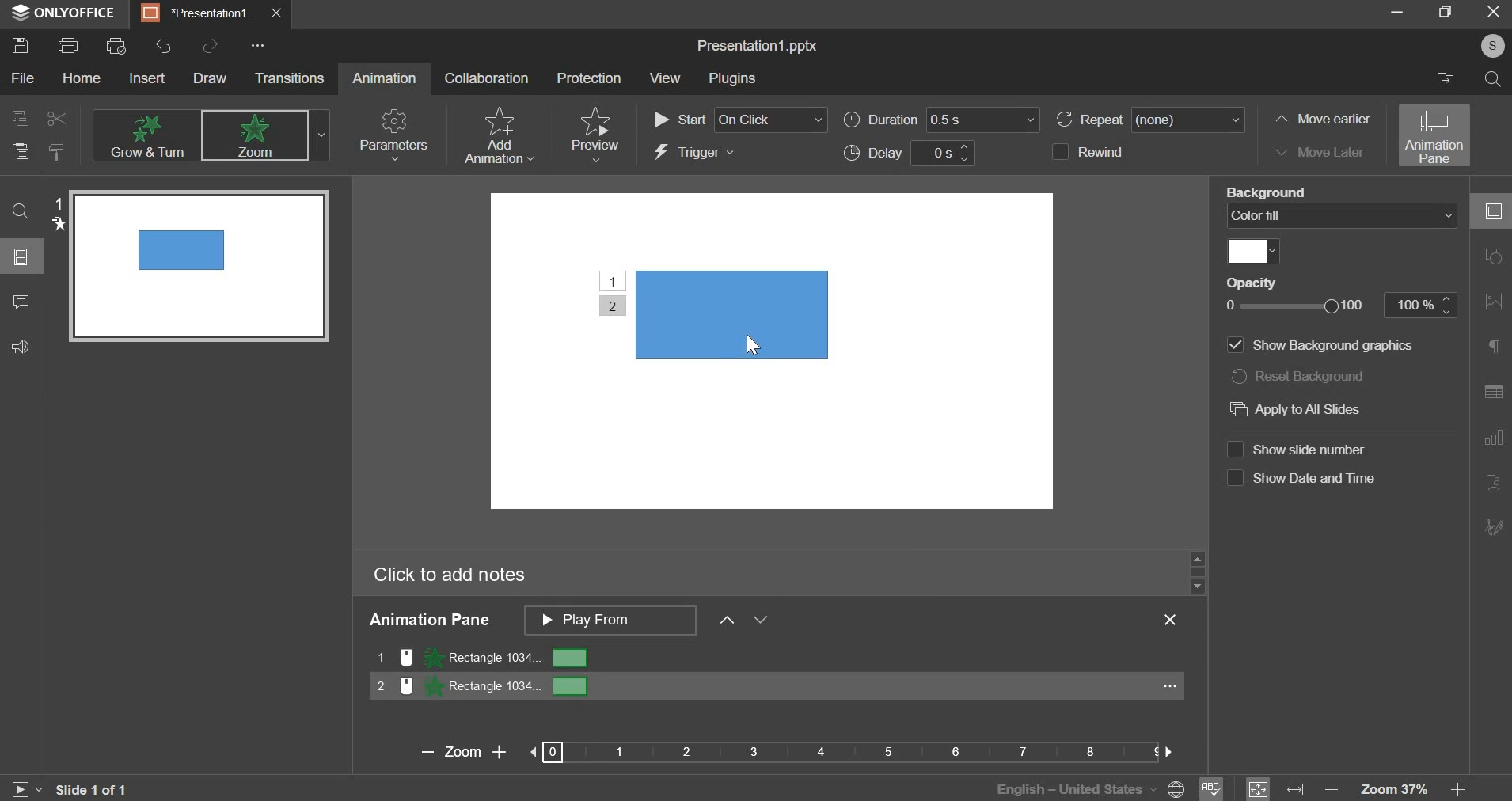  Describe the element at coordinates (1393, 13) in the screenshot. I see `minimize` at that location.